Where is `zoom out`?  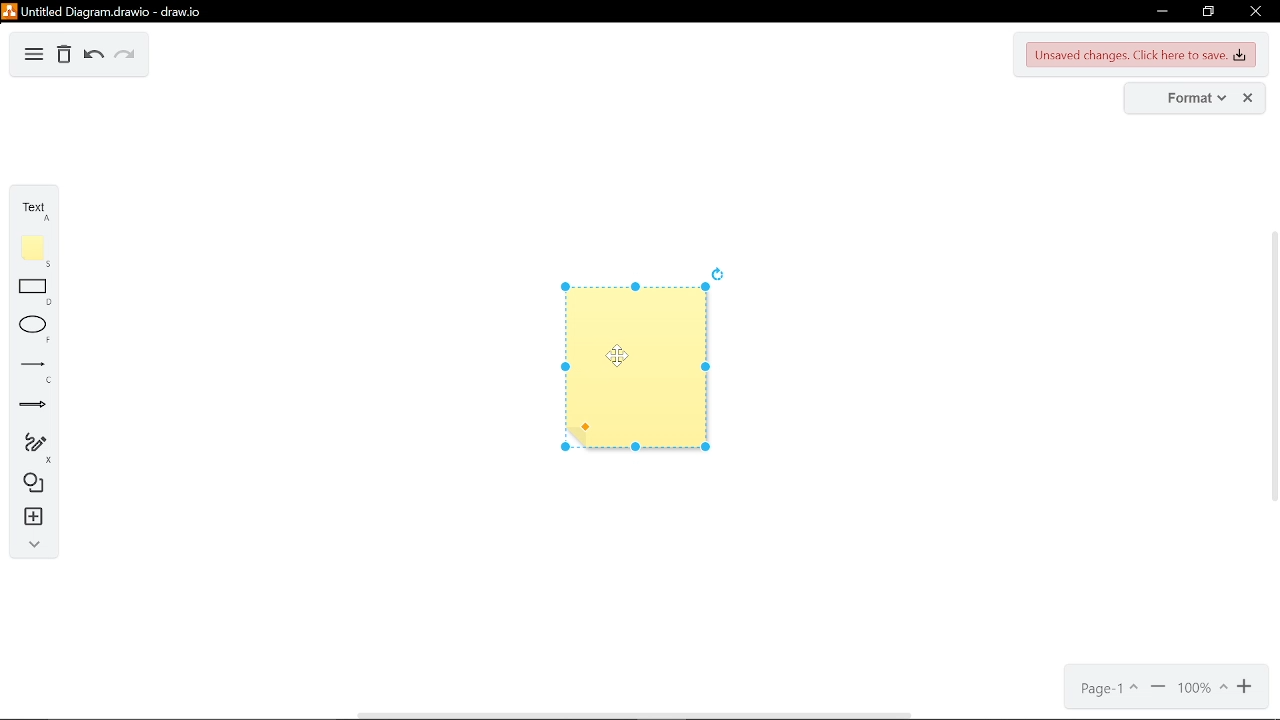 zoom out is located at coordinates (1159, 691).